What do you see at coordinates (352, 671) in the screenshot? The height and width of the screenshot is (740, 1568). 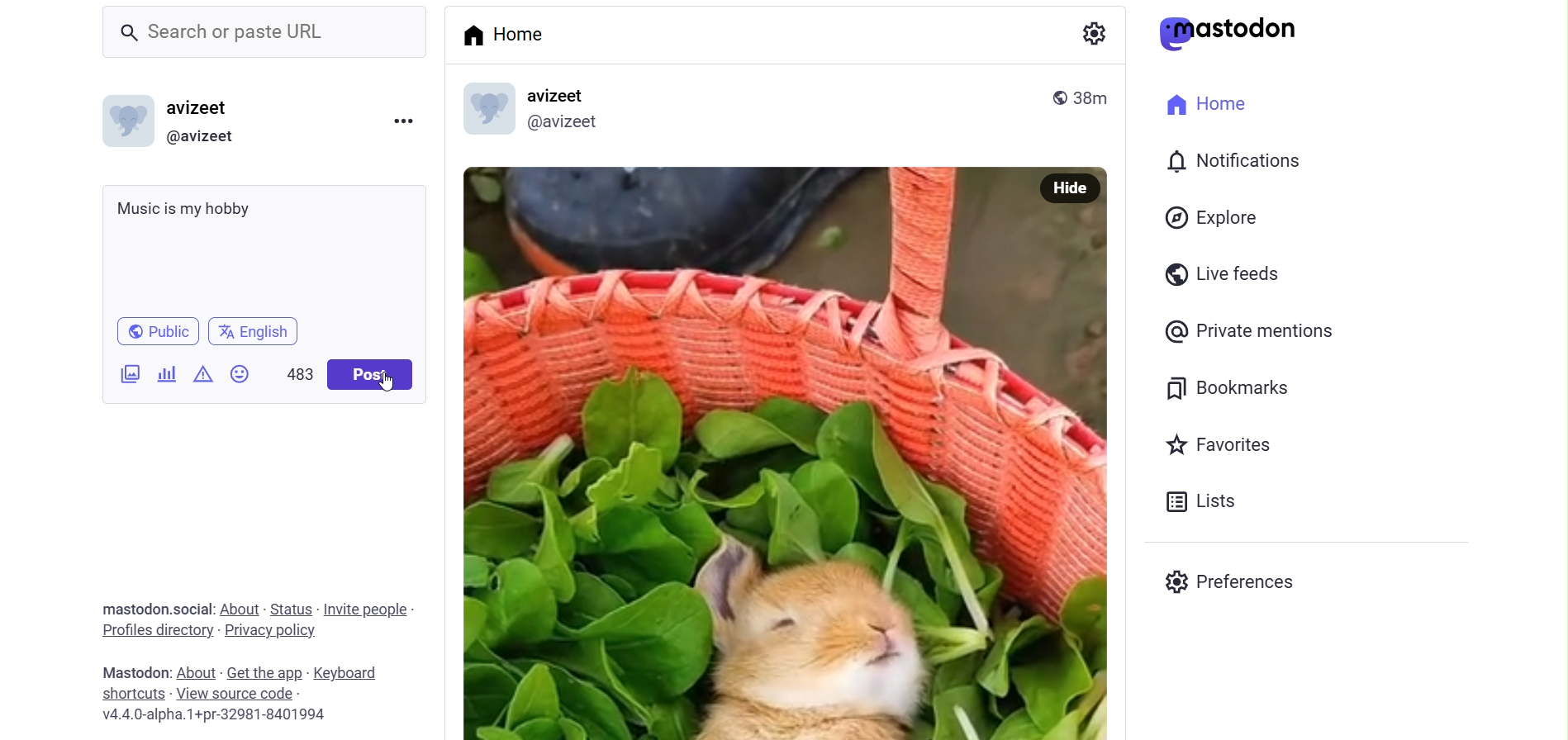 I see `Keyboard` at bounding box center [352, 671].